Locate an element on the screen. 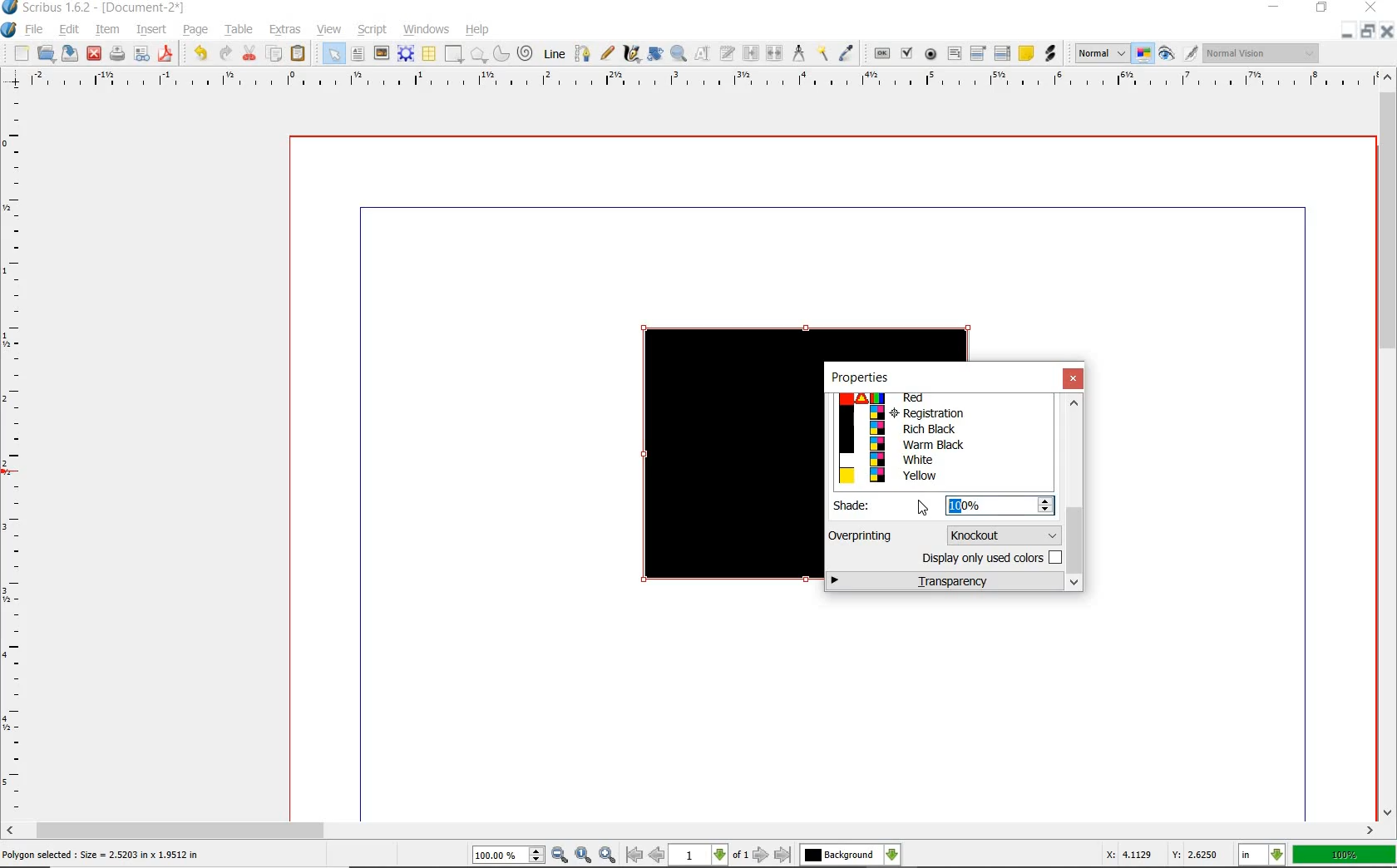 The image size is (1397, 868). table is located at coordinates (239, 31).